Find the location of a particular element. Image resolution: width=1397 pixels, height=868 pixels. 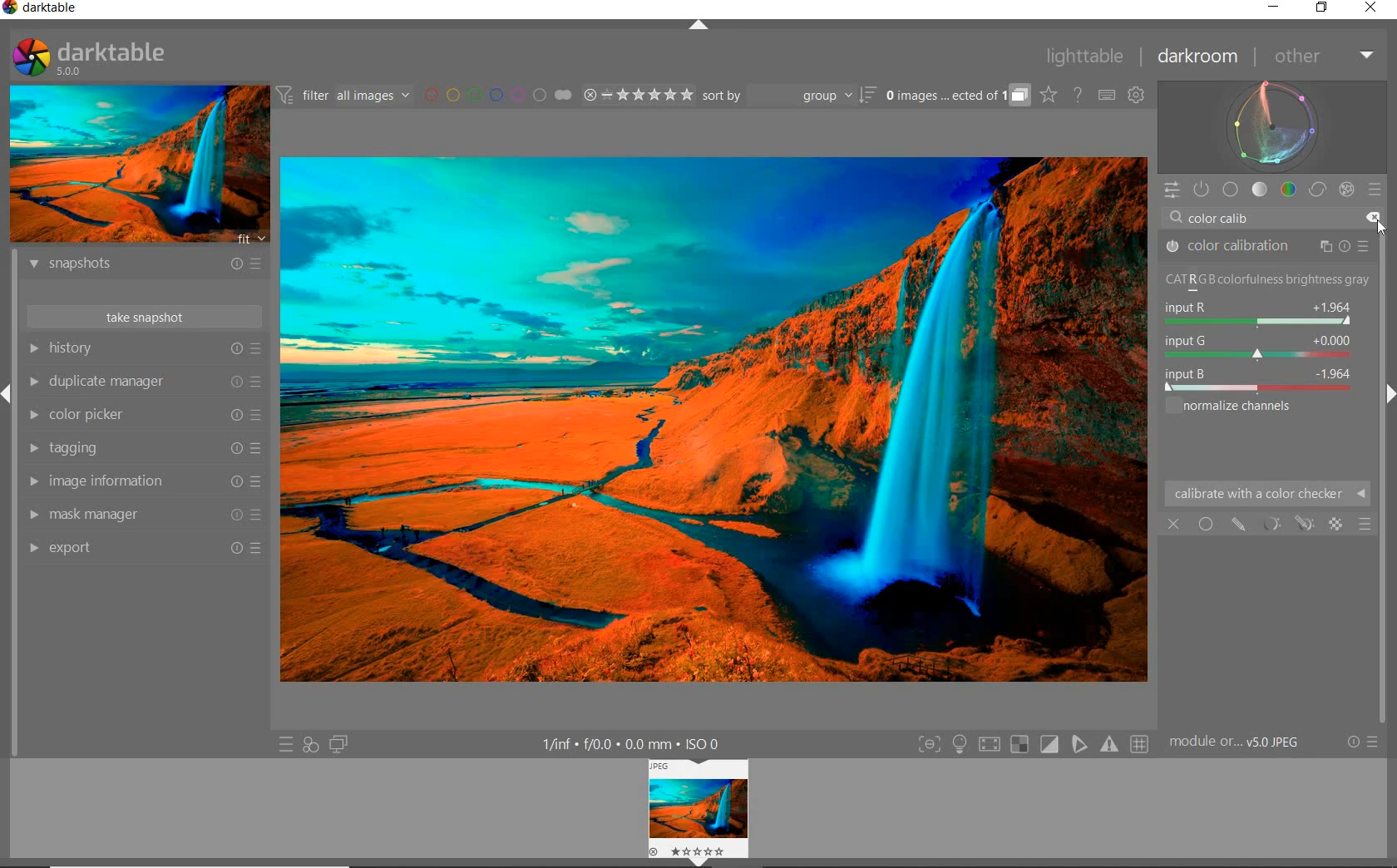

other is located at coordinates (1320, 56).